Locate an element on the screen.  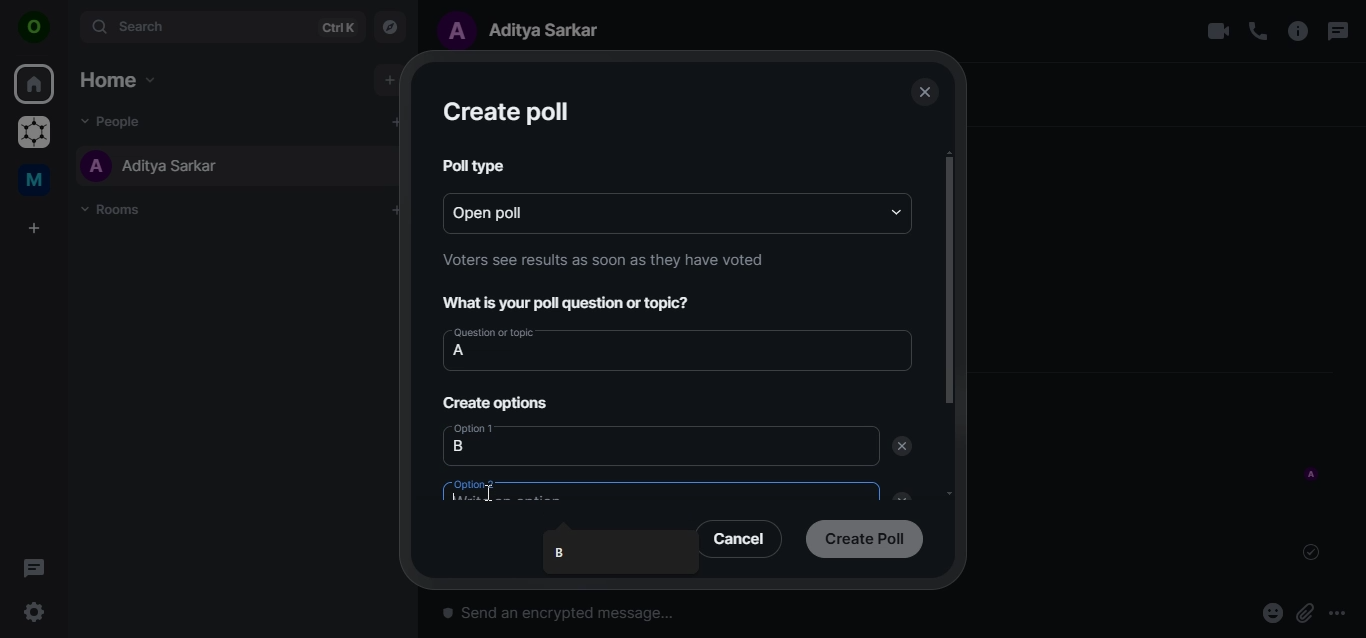
add is located at coordinates (394, 121).